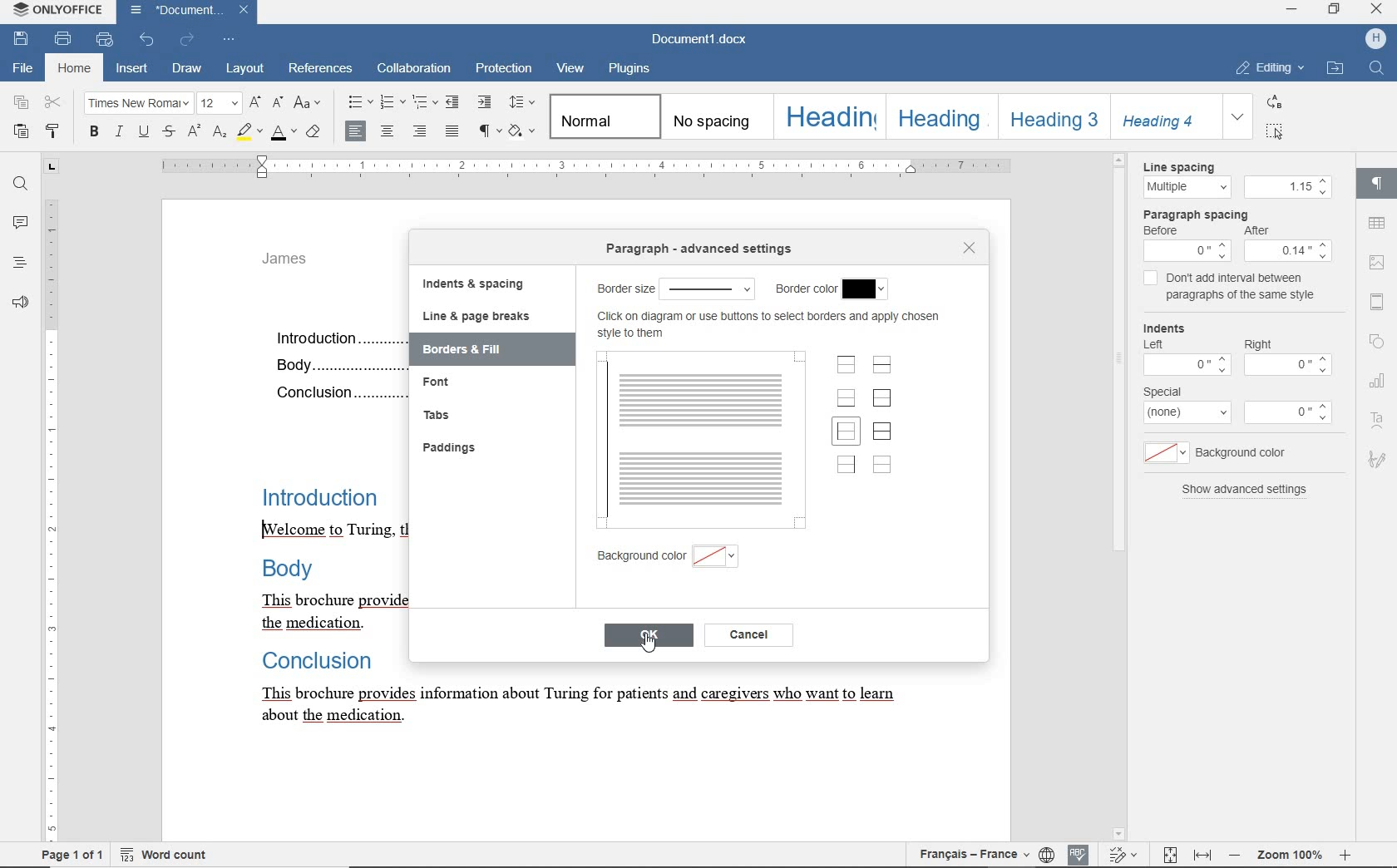 The height and width of the screenshot is (868, 1397). Describe the element at coordinates (302, 599) in the screenshot. I see `This brochure |` at that location.